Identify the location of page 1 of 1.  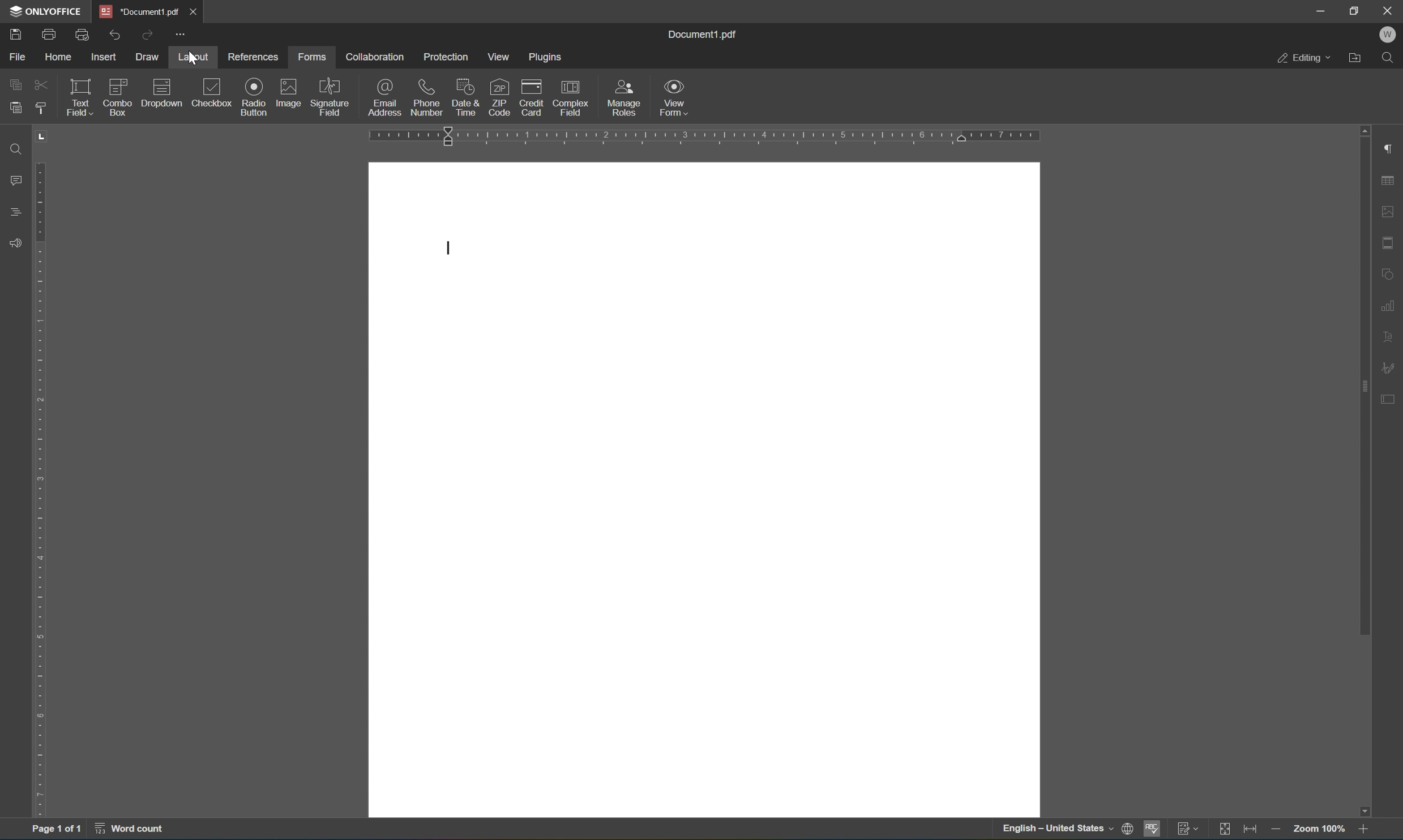
(58, 831).